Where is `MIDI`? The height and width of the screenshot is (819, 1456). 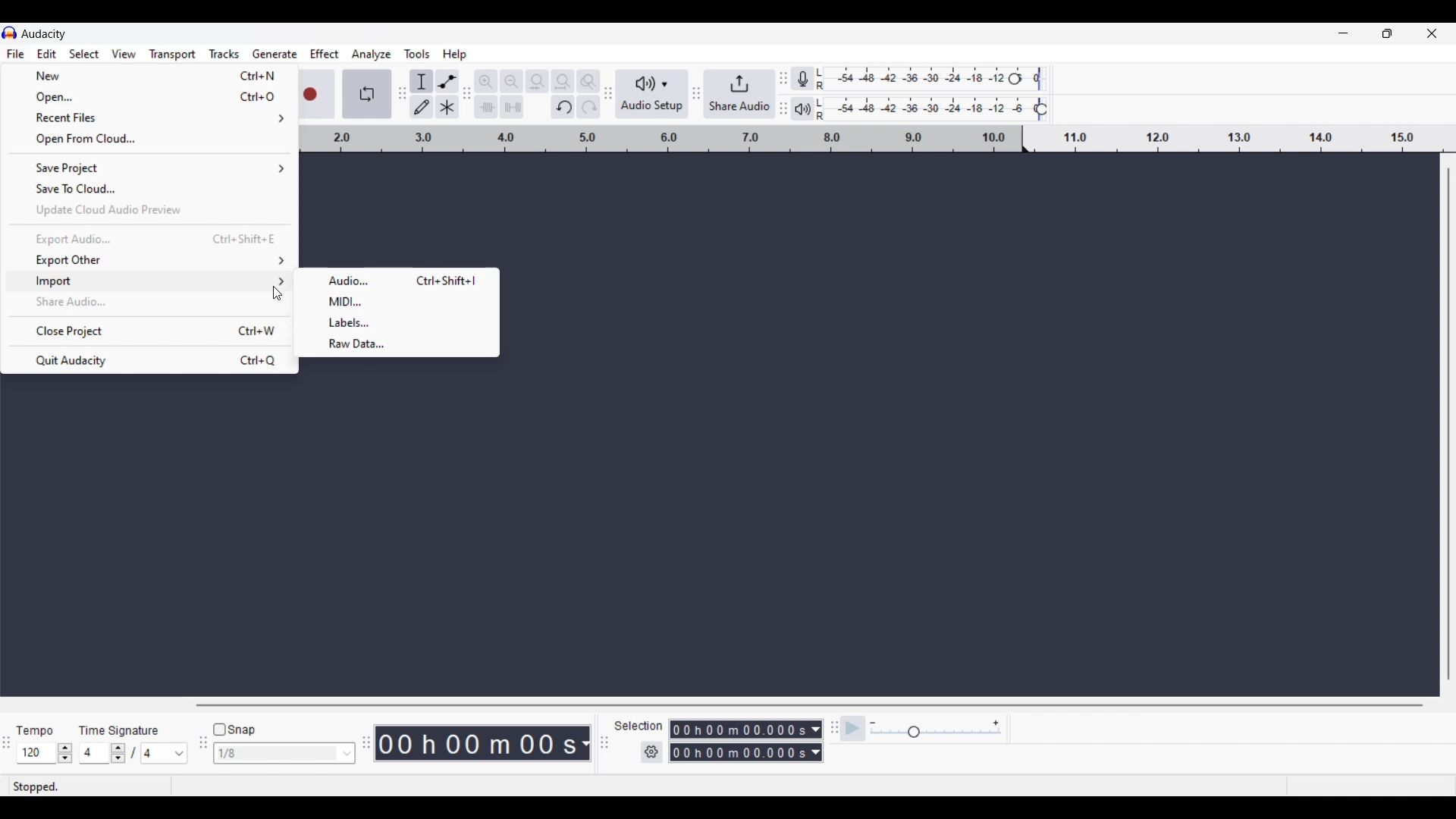
MIDI is located at coordinates (397, 302).